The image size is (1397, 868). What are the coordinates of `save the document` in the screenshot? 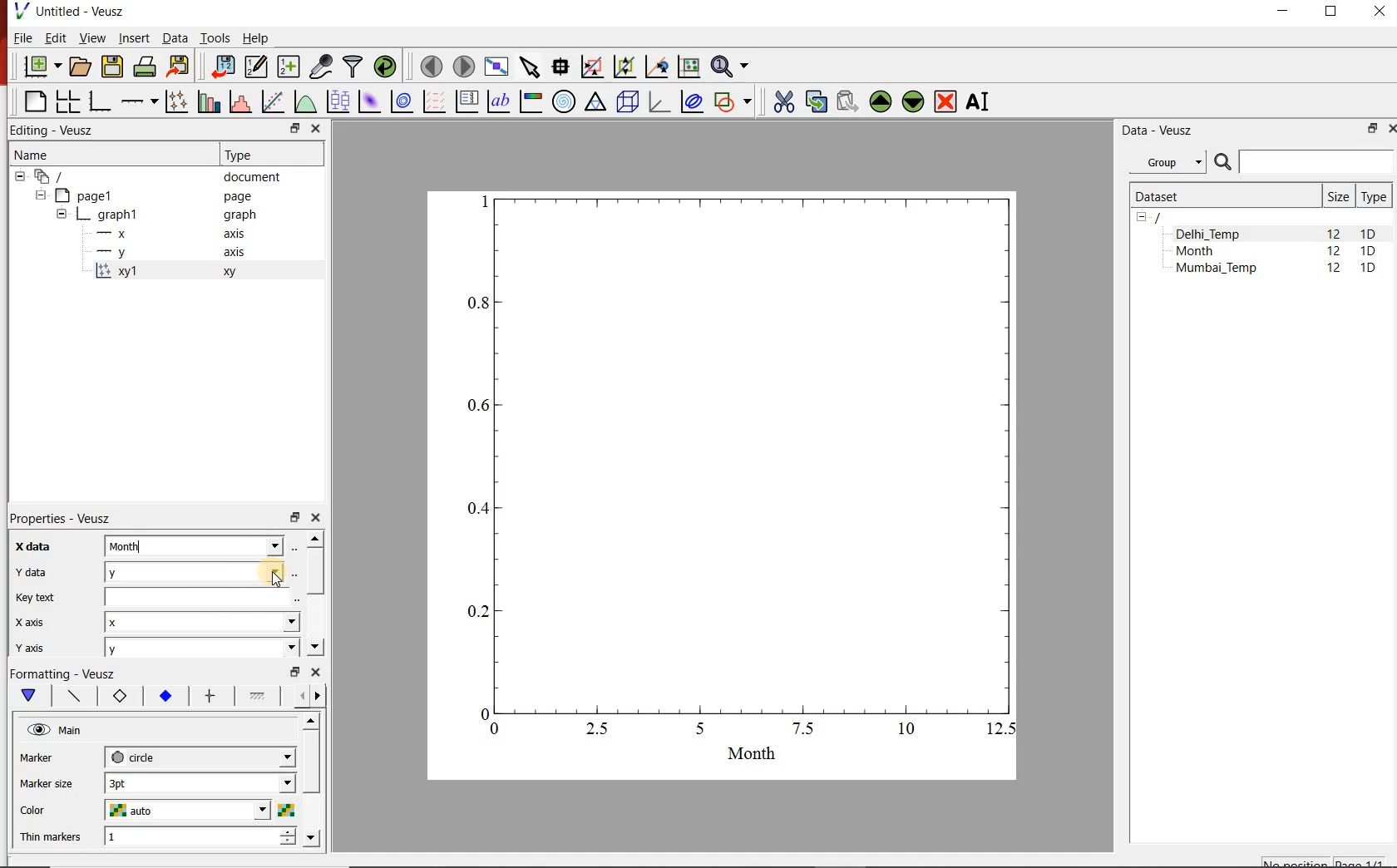 It's located at (111, 67).